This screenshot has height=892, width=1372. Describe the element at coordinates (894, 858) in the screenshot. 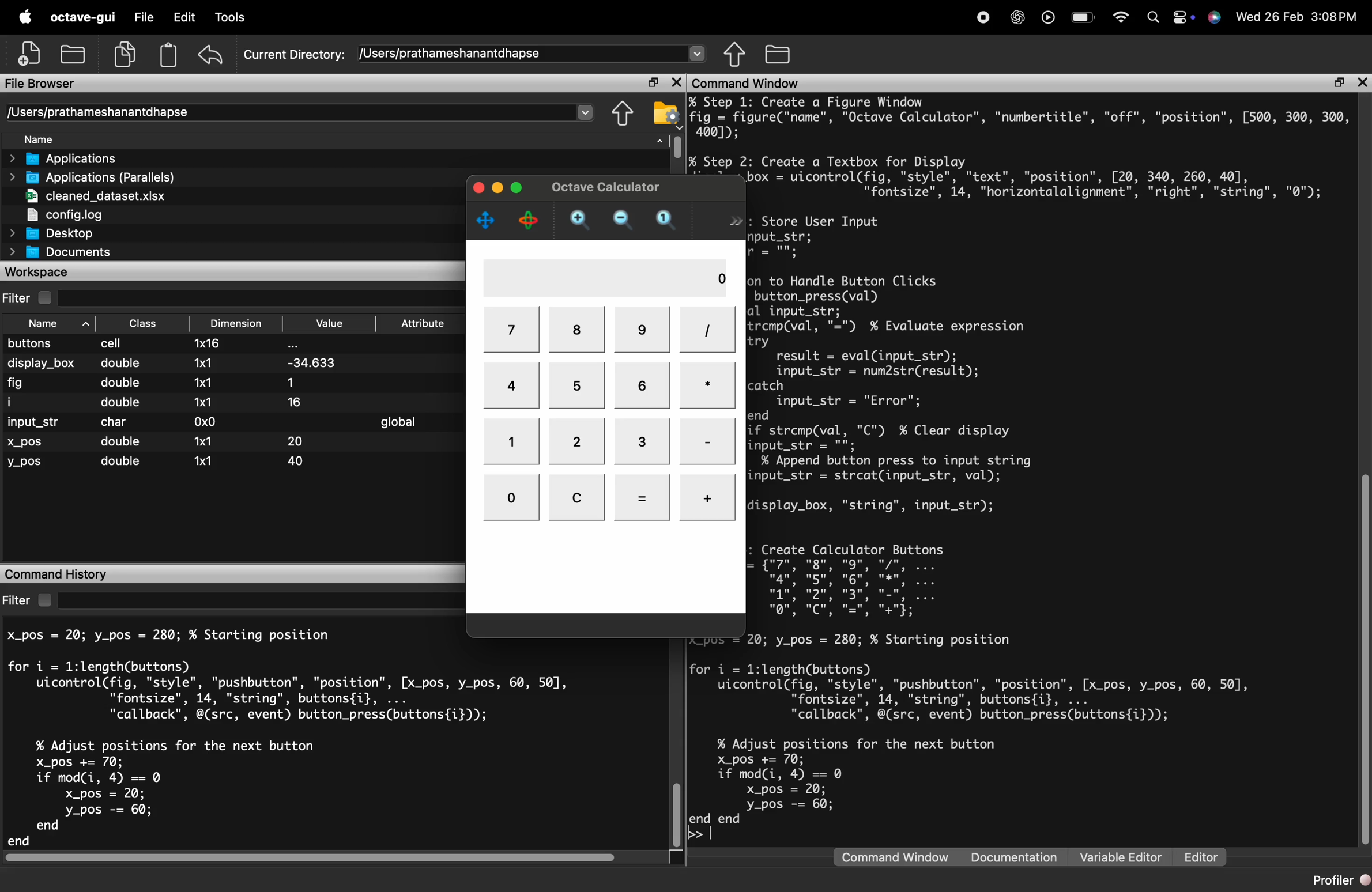

I see `Command Window` at that location.